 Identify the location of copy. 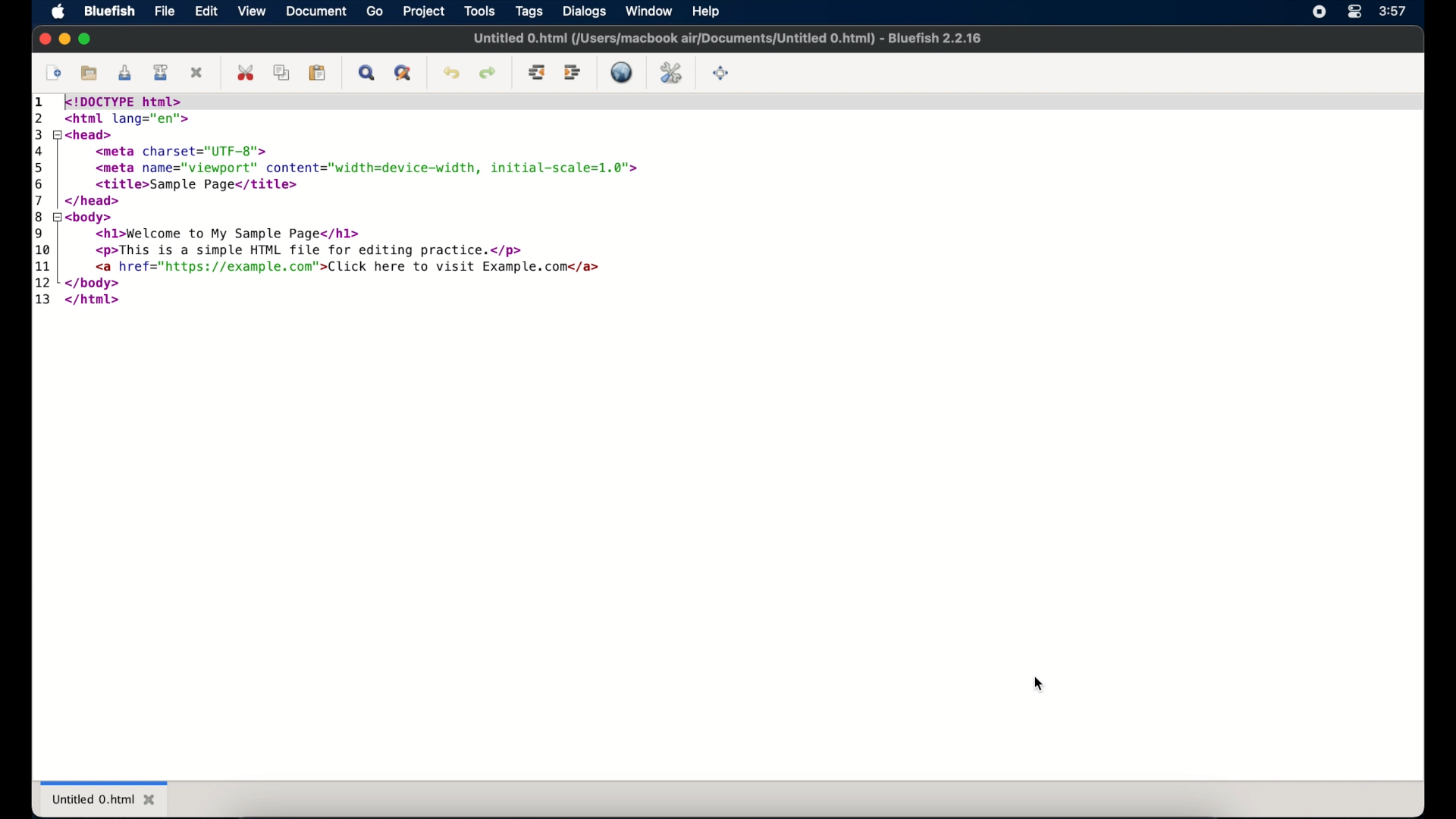
(281, 74).